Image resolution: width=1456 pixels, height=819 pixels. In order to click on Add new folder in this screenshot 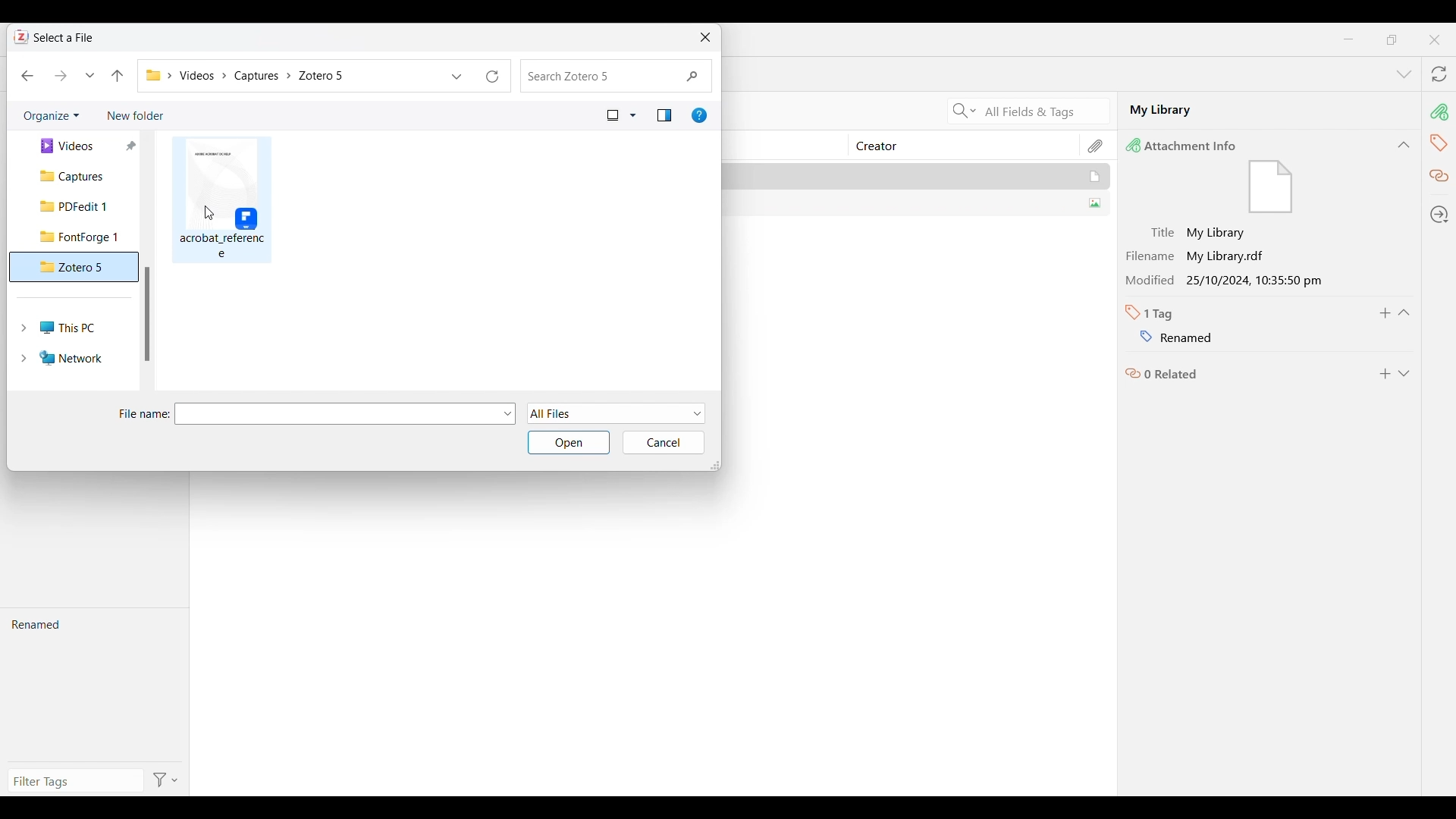, I will do `click(136, 116)`.